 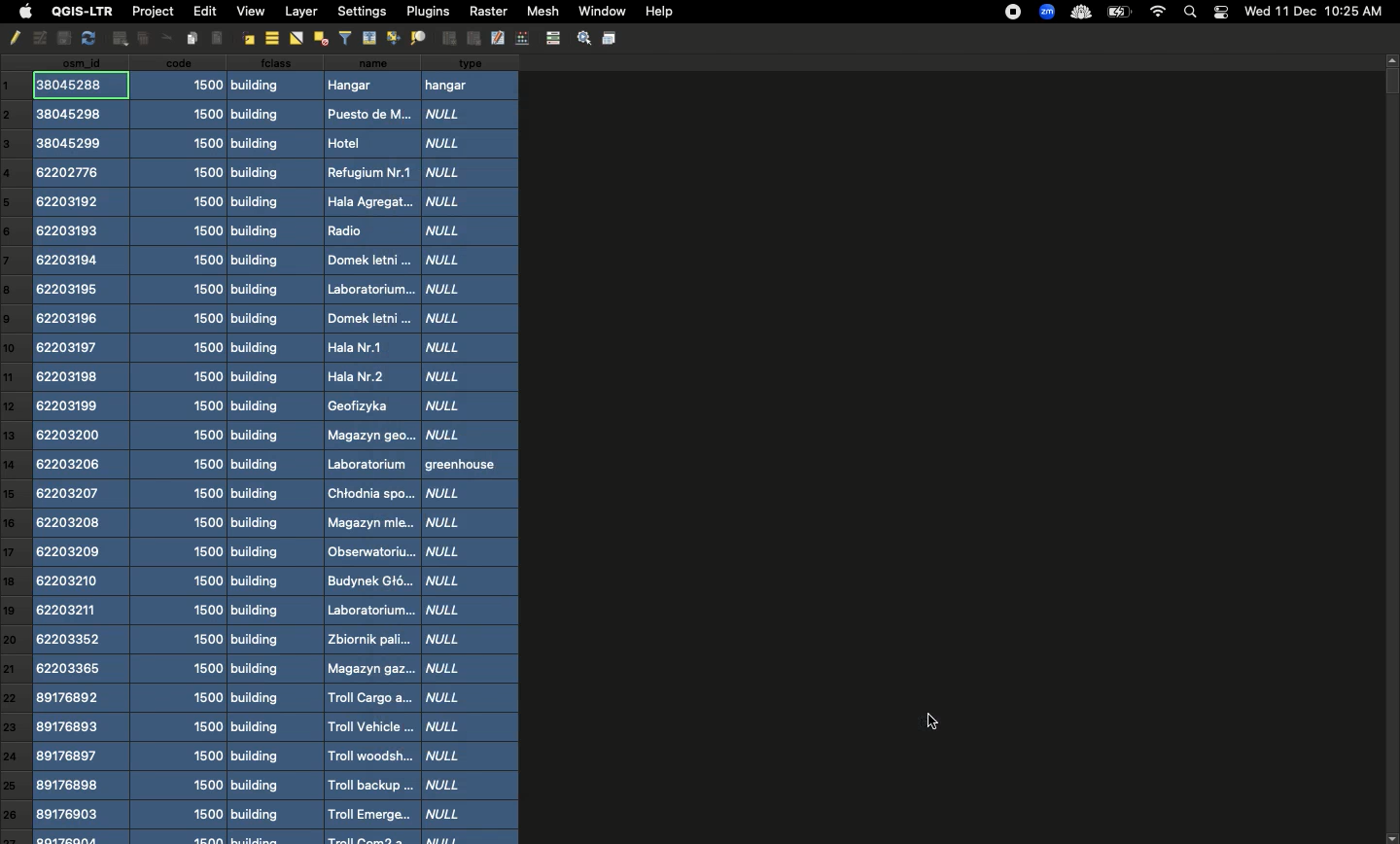 What do you see at coordinates (22, 13) in the screenshot?
I see `Apple` at bounding box center [22, 13].